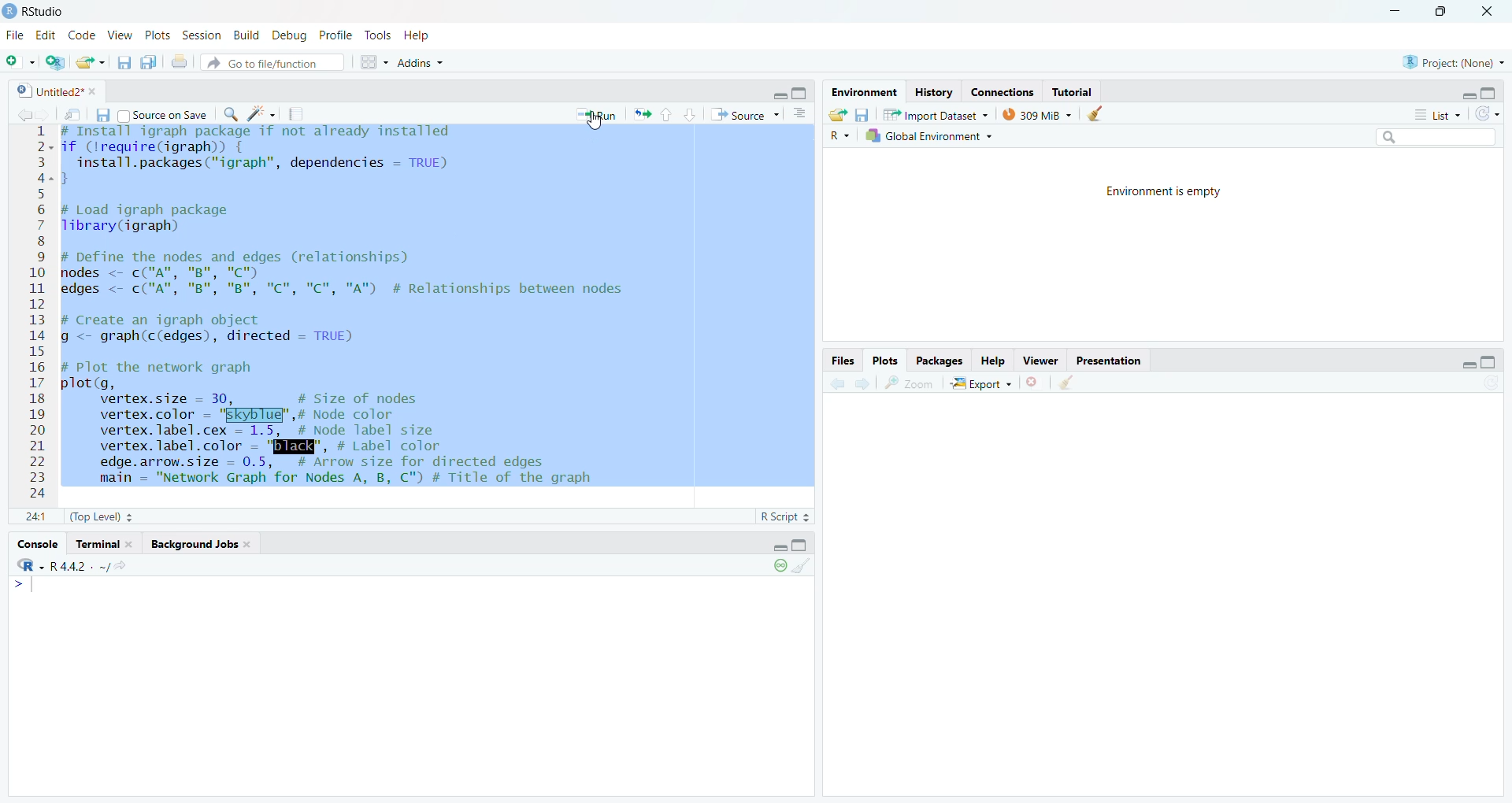 Image resolution: width=1512 pixels, height=803 pixels. What do you see at coordinates (121, 36) in the screenshot?
I see `View` at bounding box center [121, 36].